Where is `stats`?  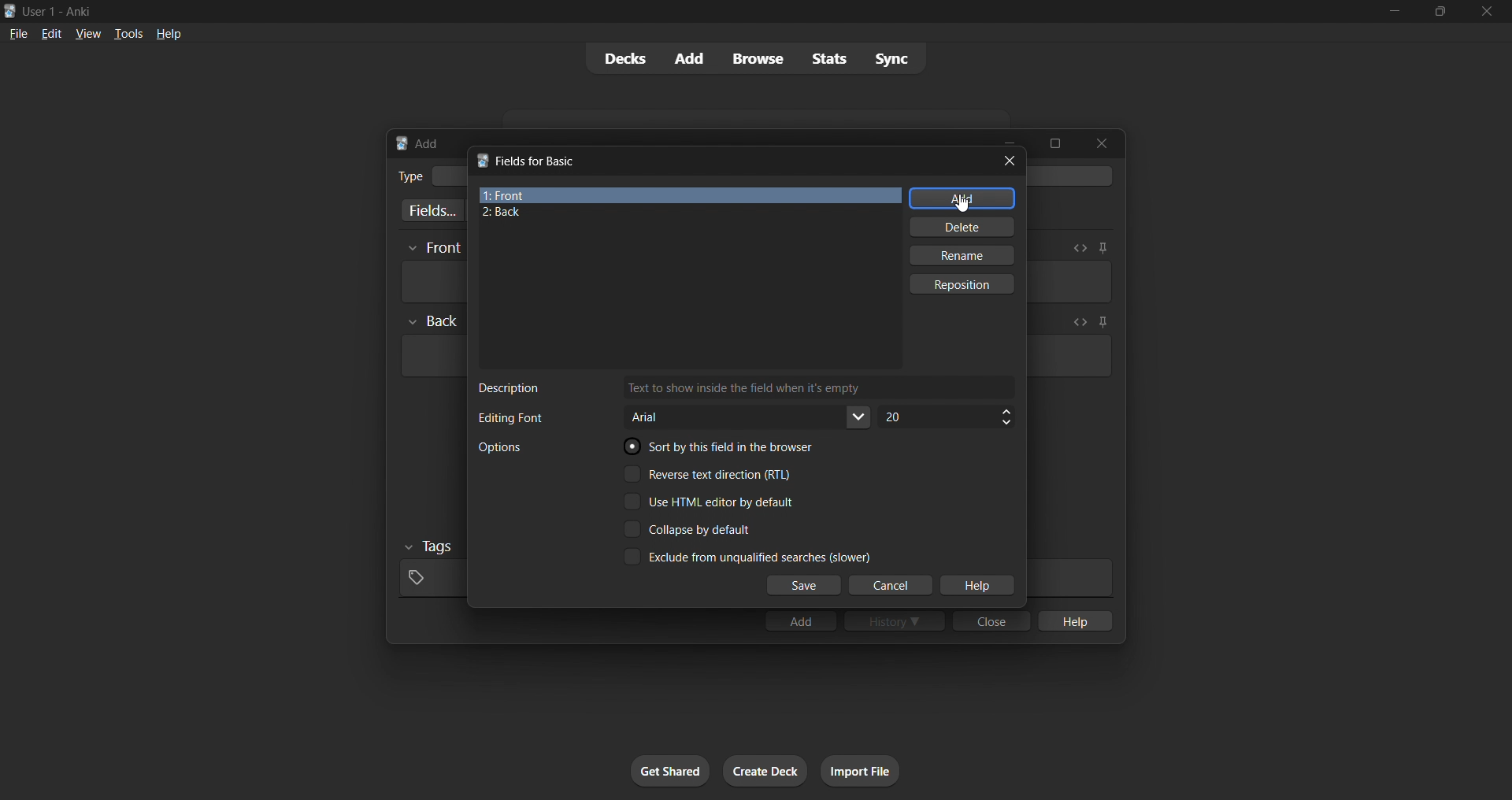
stats is located at coordinates (828, 58).